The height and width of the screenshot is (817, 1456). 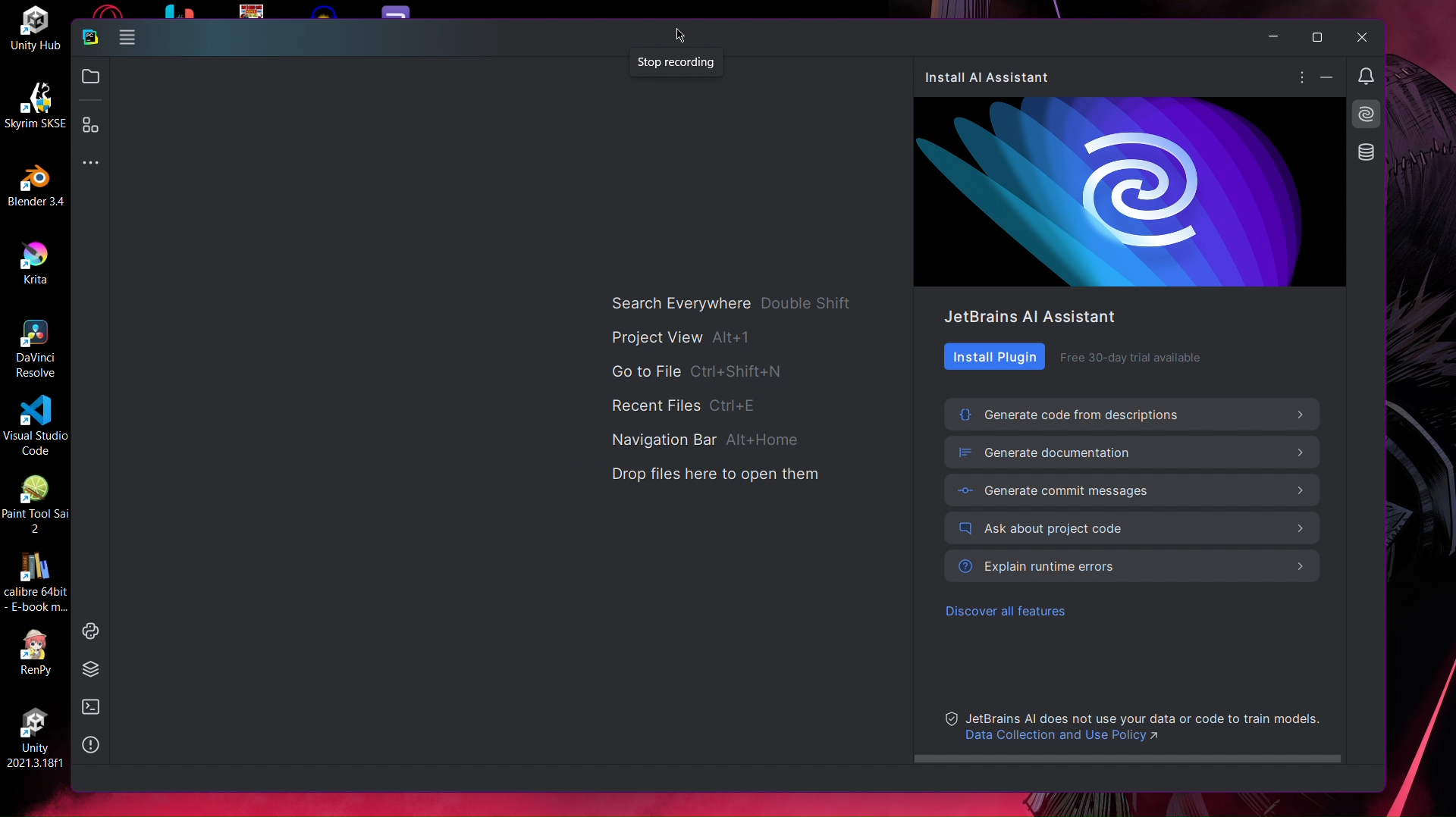 I want to click on Python Console, so click(x=89, y=630).